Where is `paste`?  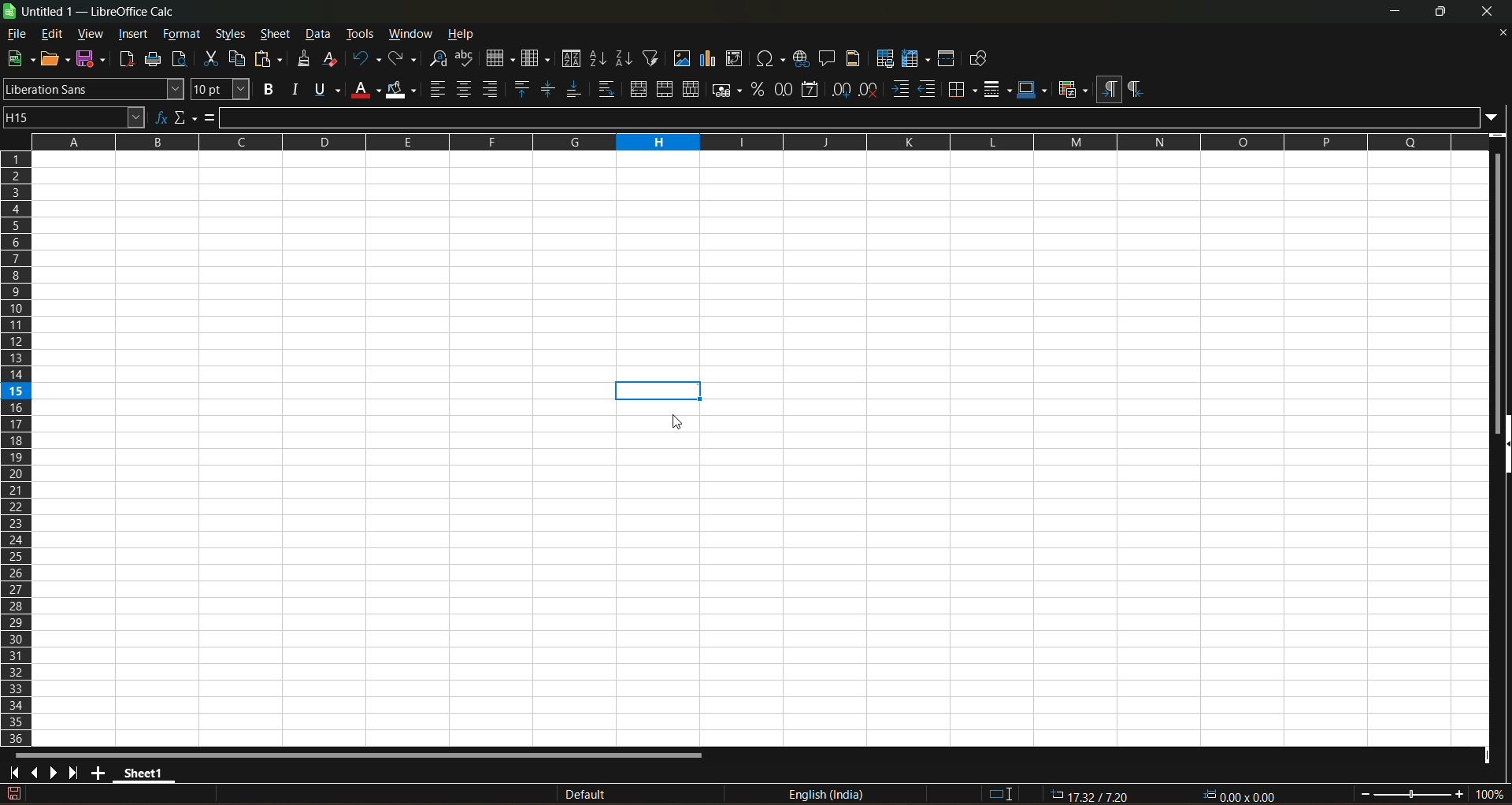 paste is located at coordinates (269, 58).